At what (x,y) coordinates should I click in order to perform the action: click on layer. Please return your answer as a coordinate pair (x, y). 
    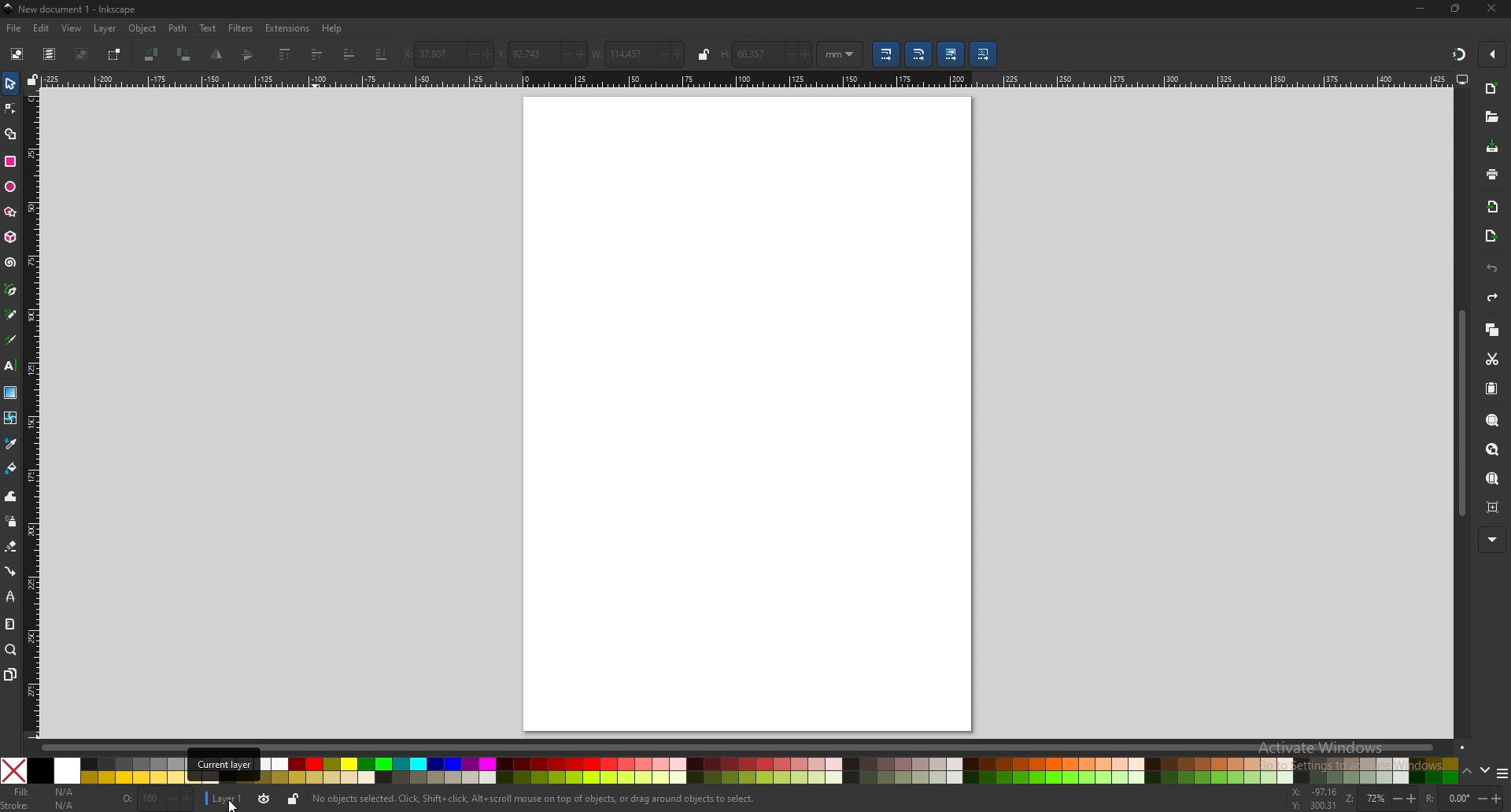
    Looking at the image, I should click on (105, 28).